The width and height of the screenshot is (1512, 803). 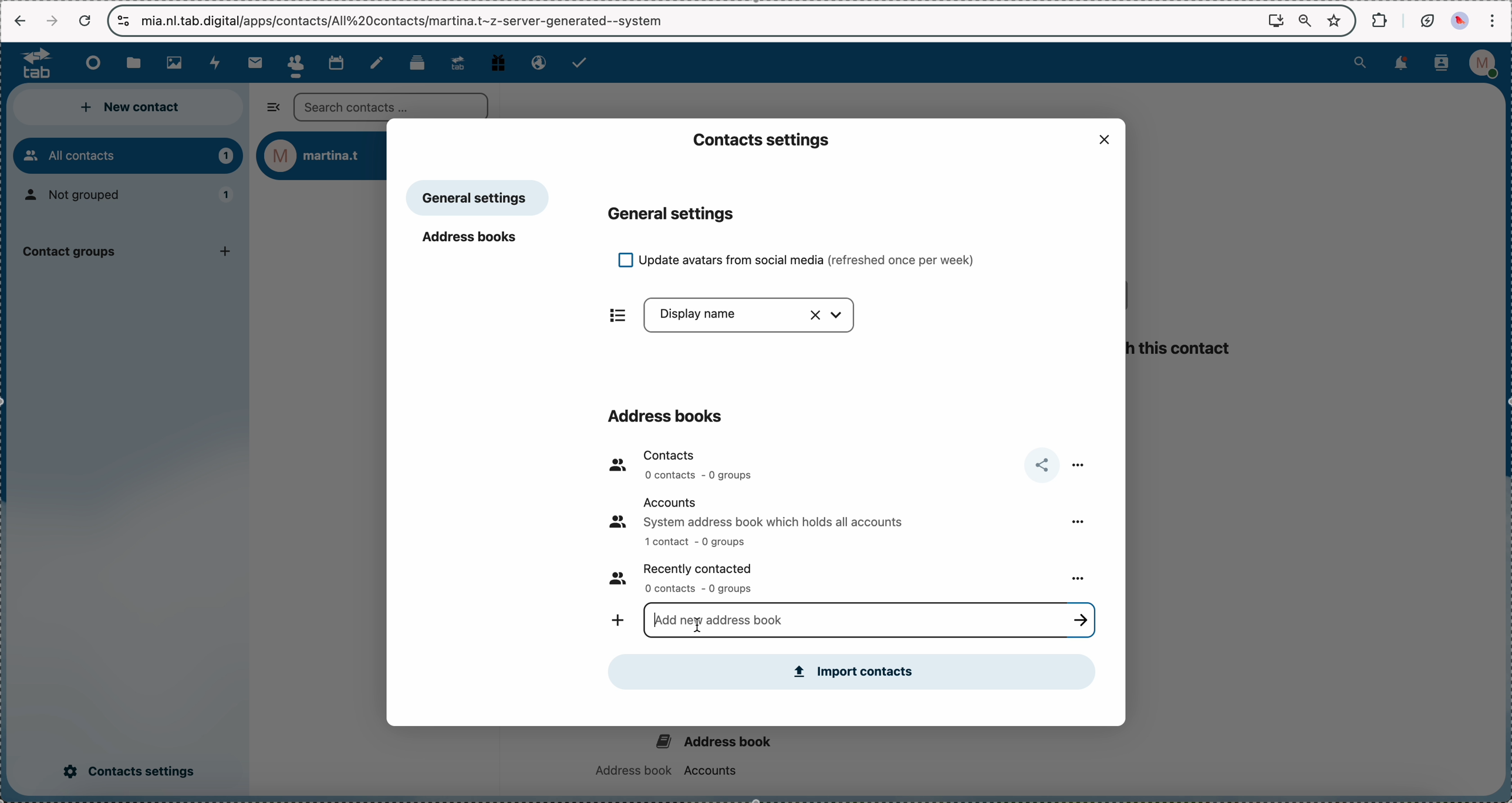 I want to click on logo, so click(x=29, y=63).